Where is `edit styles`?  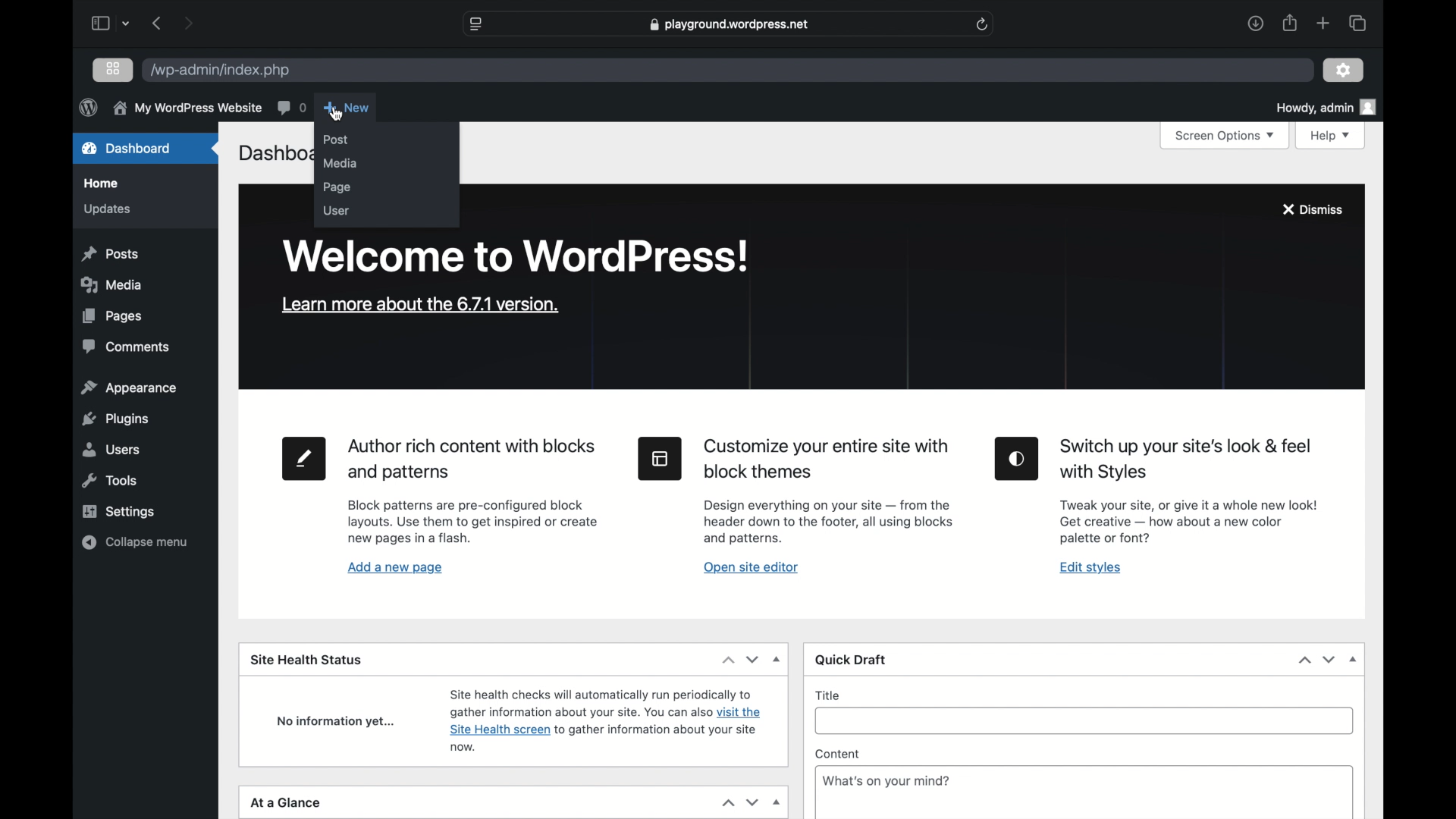 edit styles is located at coordinates (1090, 569).